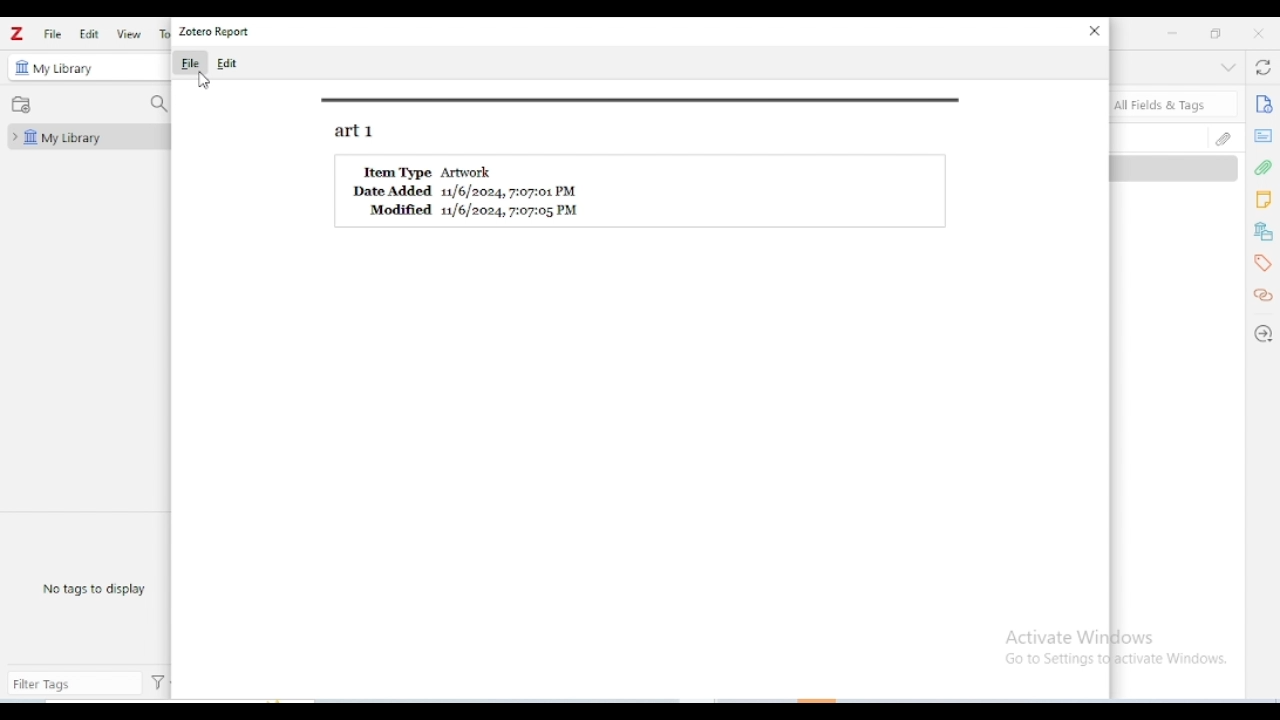 Image resolution: width=1280 pixels, height=720 pixels. What do you see at coordinates (17, 34) in the screenshot?
I see `logo` at bounding box center [17, 34].